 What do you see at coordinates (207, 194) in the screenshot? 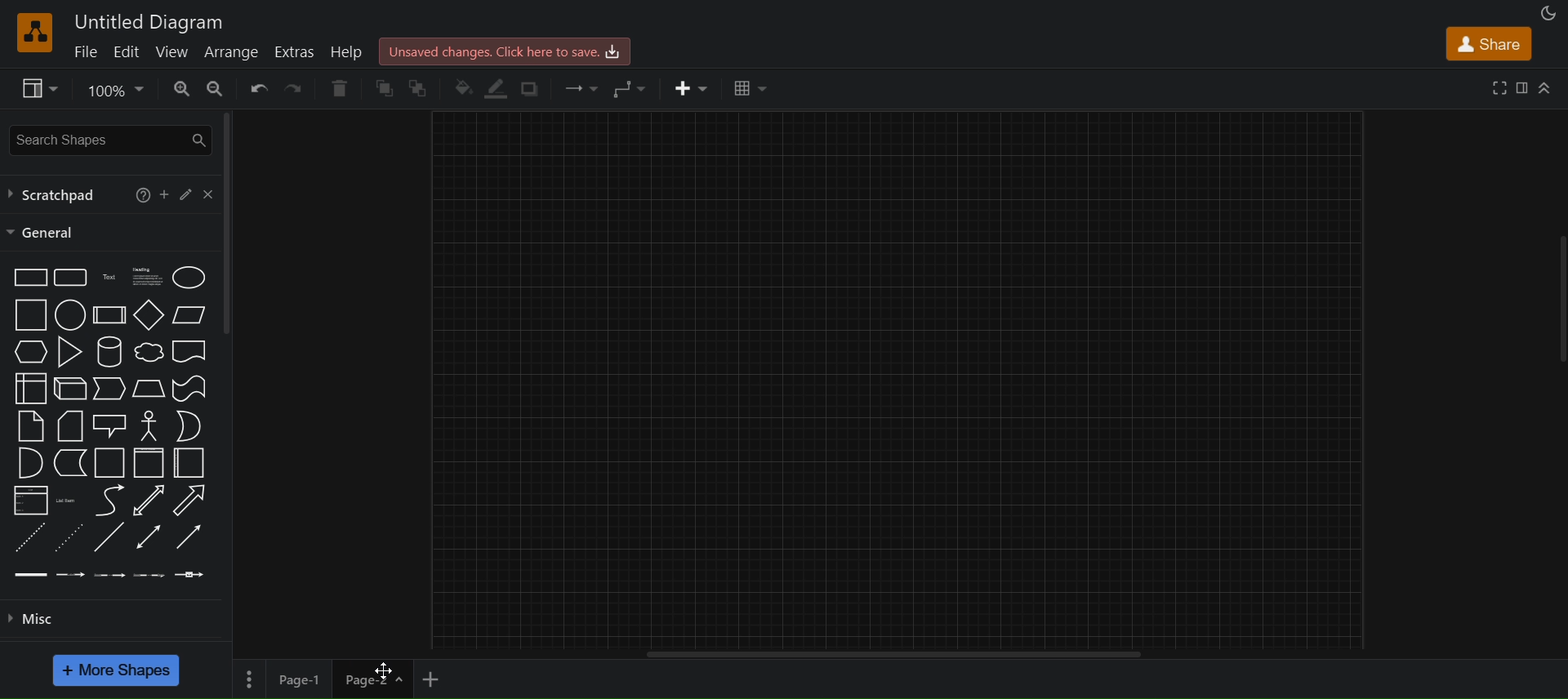
I see `close` at bounding box center [207, 194].